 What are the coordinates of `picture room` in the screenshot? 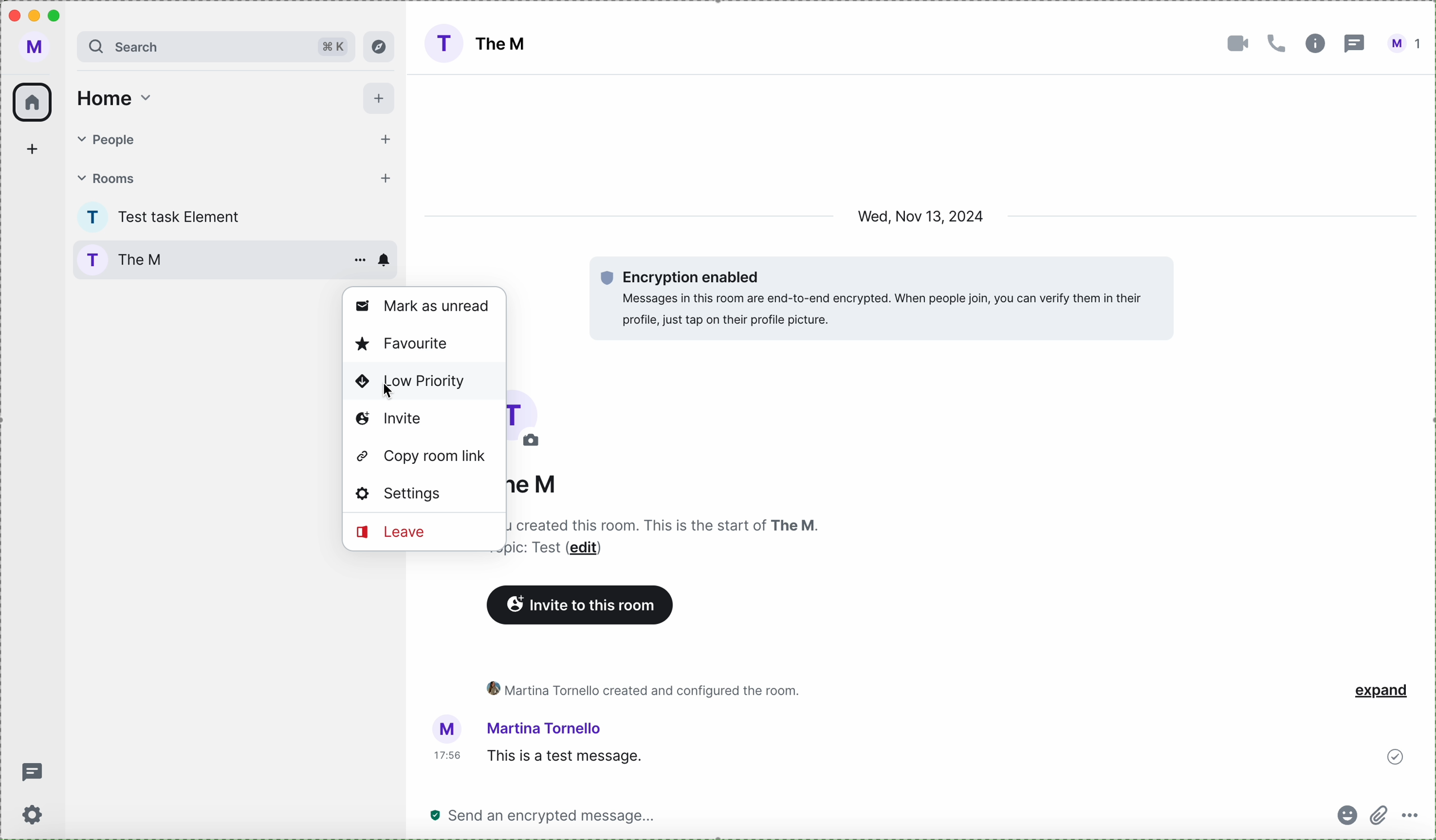 It's located at (528, 409).